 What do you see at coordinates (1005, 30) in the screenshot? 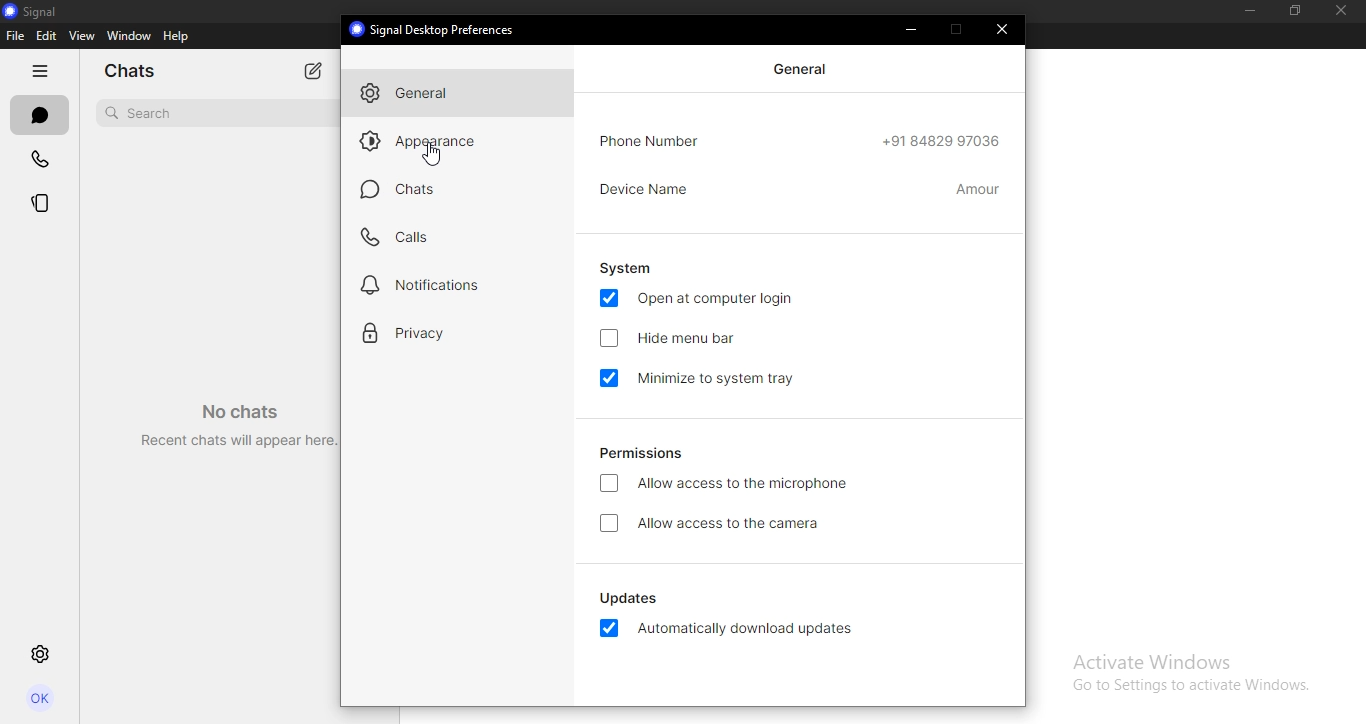
I see `close` at bounding box center [1005, 30].